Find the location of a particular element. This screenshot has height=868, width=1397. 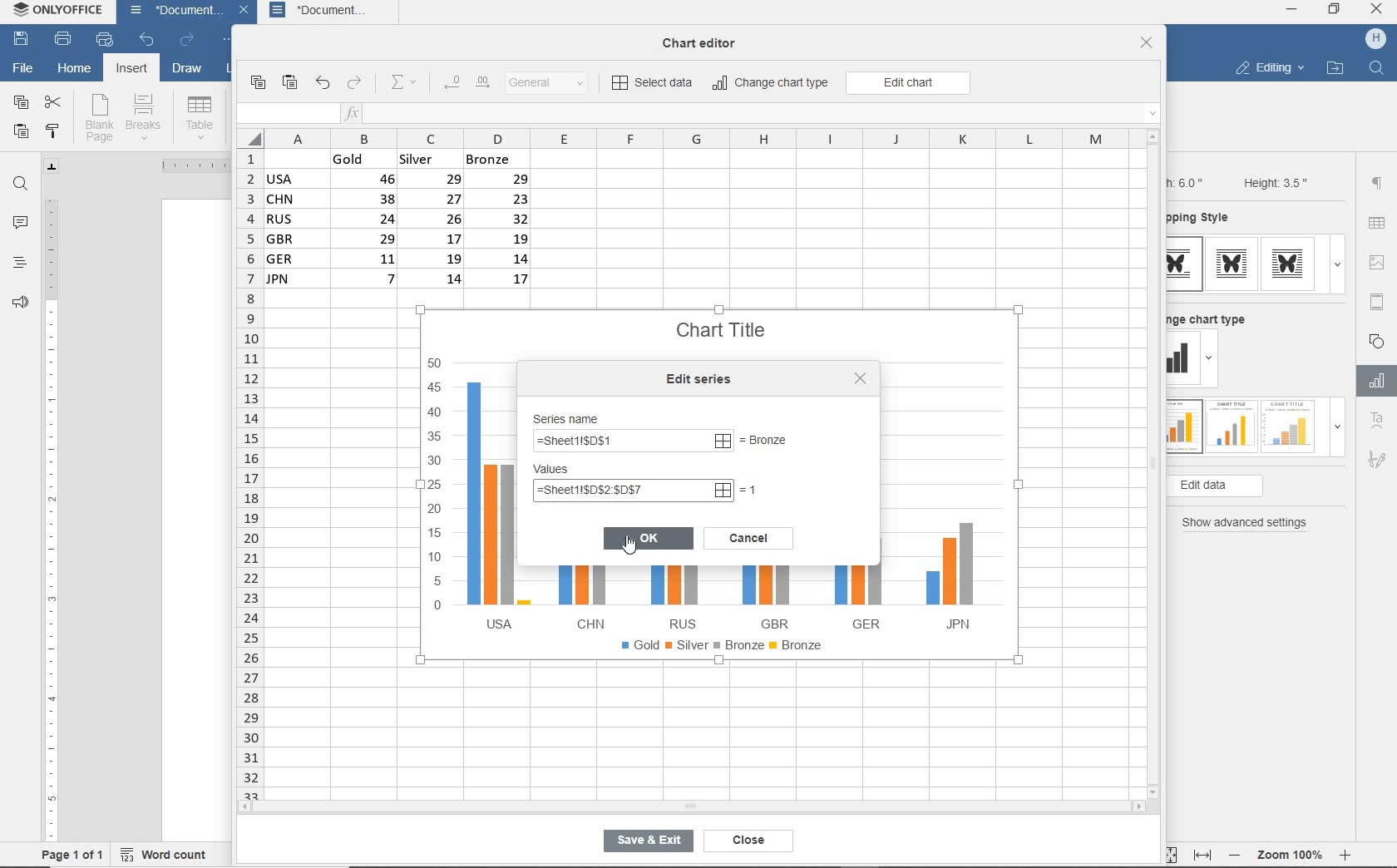

ruler is located at coordinates (51, 513).